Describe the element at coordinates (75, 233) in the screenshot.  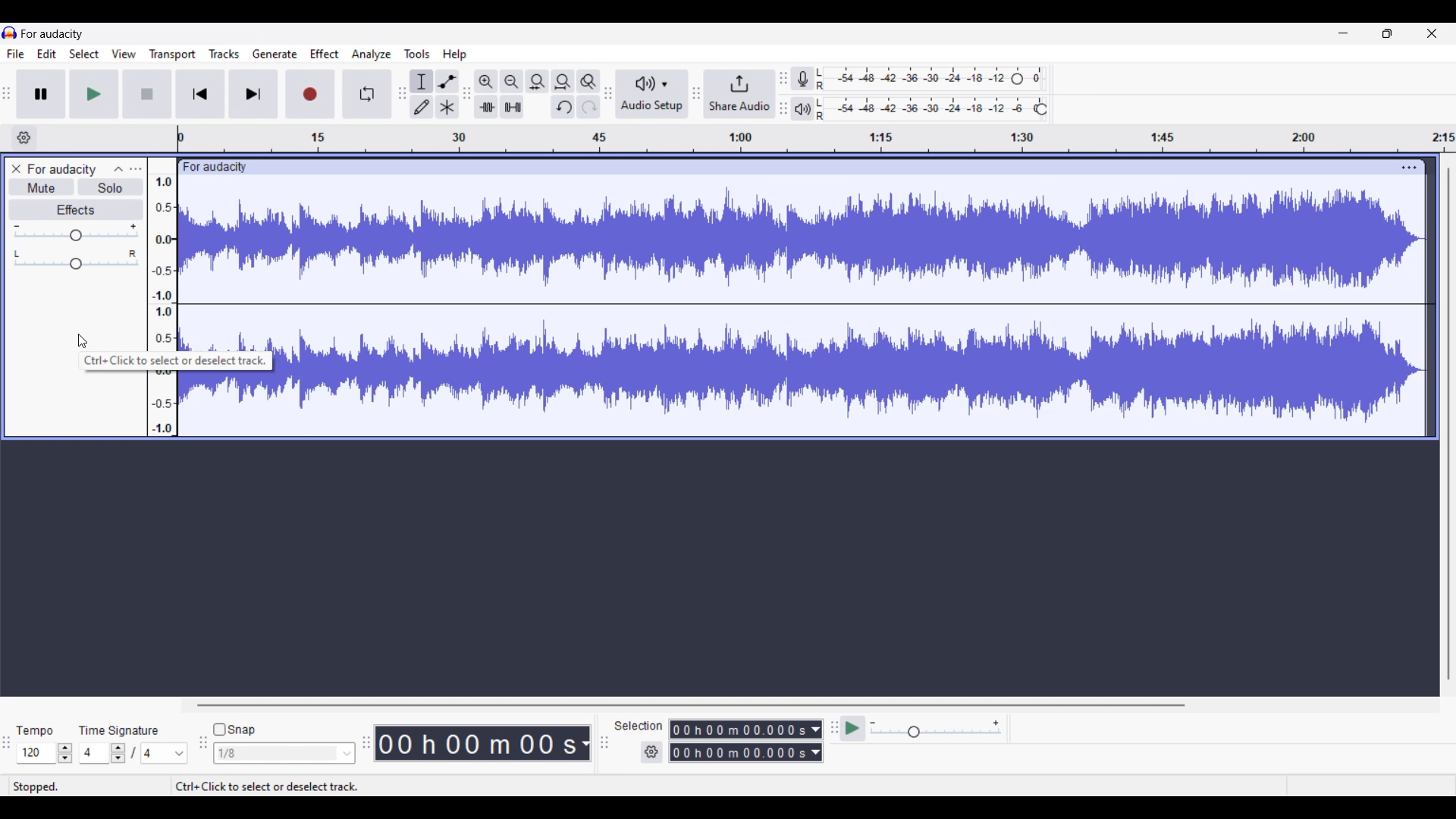
I see `Volume slider` at that location.